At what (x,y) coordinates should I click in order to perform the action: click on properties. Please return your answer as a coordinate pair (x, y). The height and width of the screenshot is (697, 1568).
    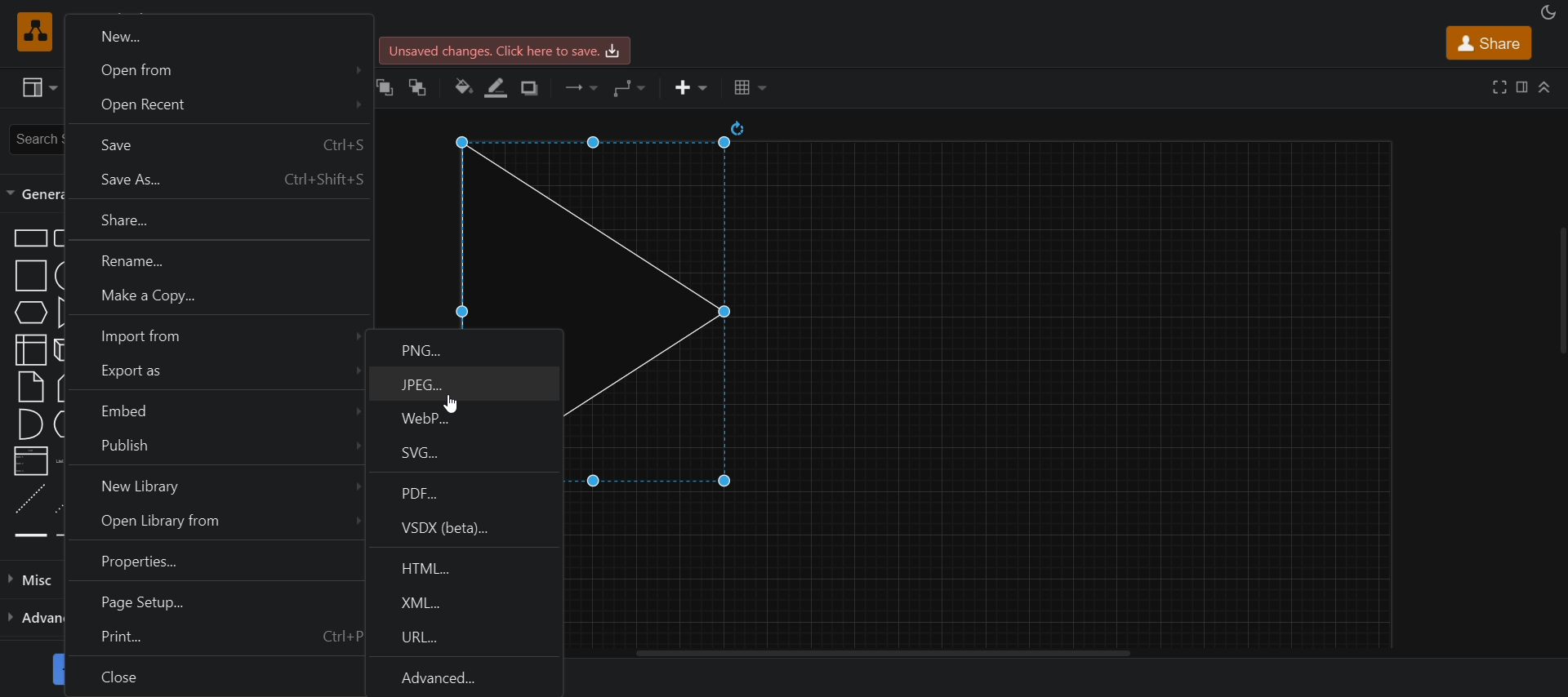
    Looking at the image, I should click on (211, 563).